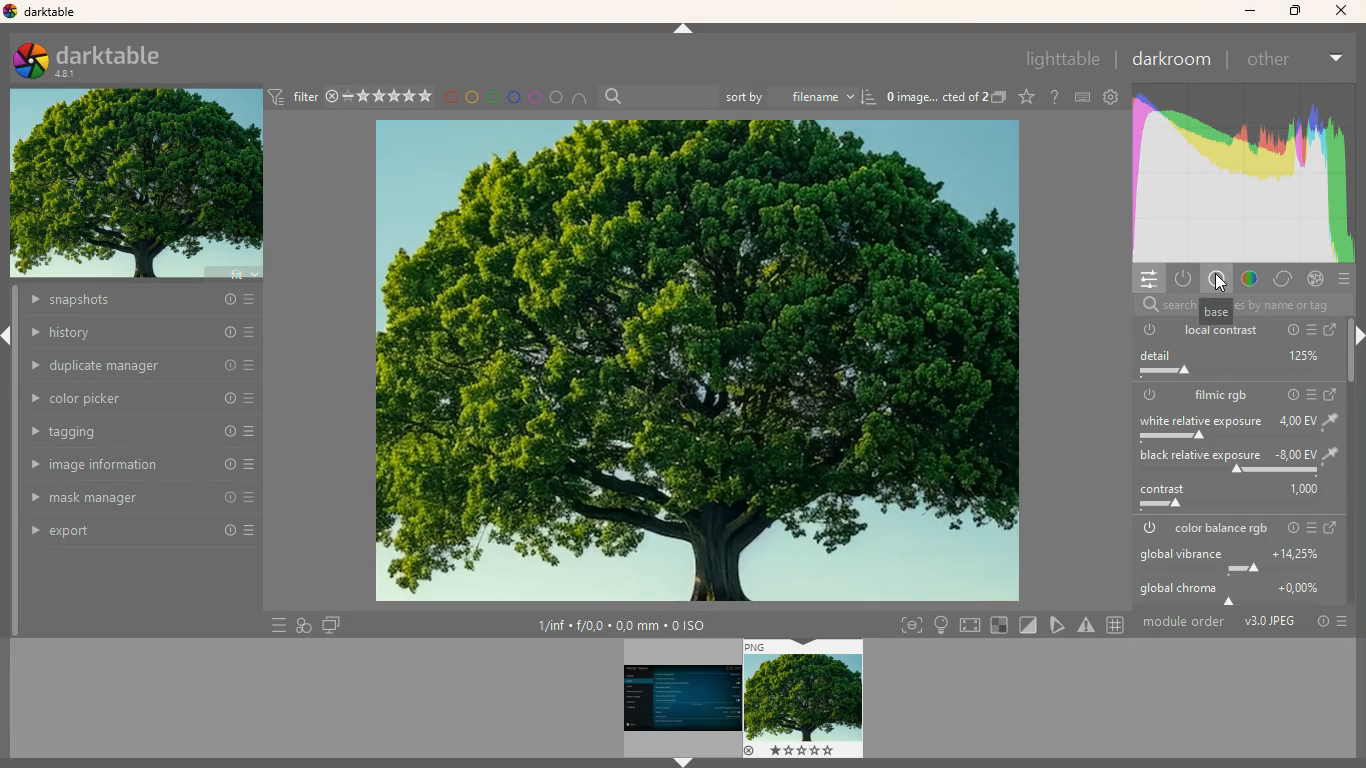 This screenshot has width=1366, height=768. Describe the element at coordinates (1341, 10) in the screenshot. I see `close` at that location.